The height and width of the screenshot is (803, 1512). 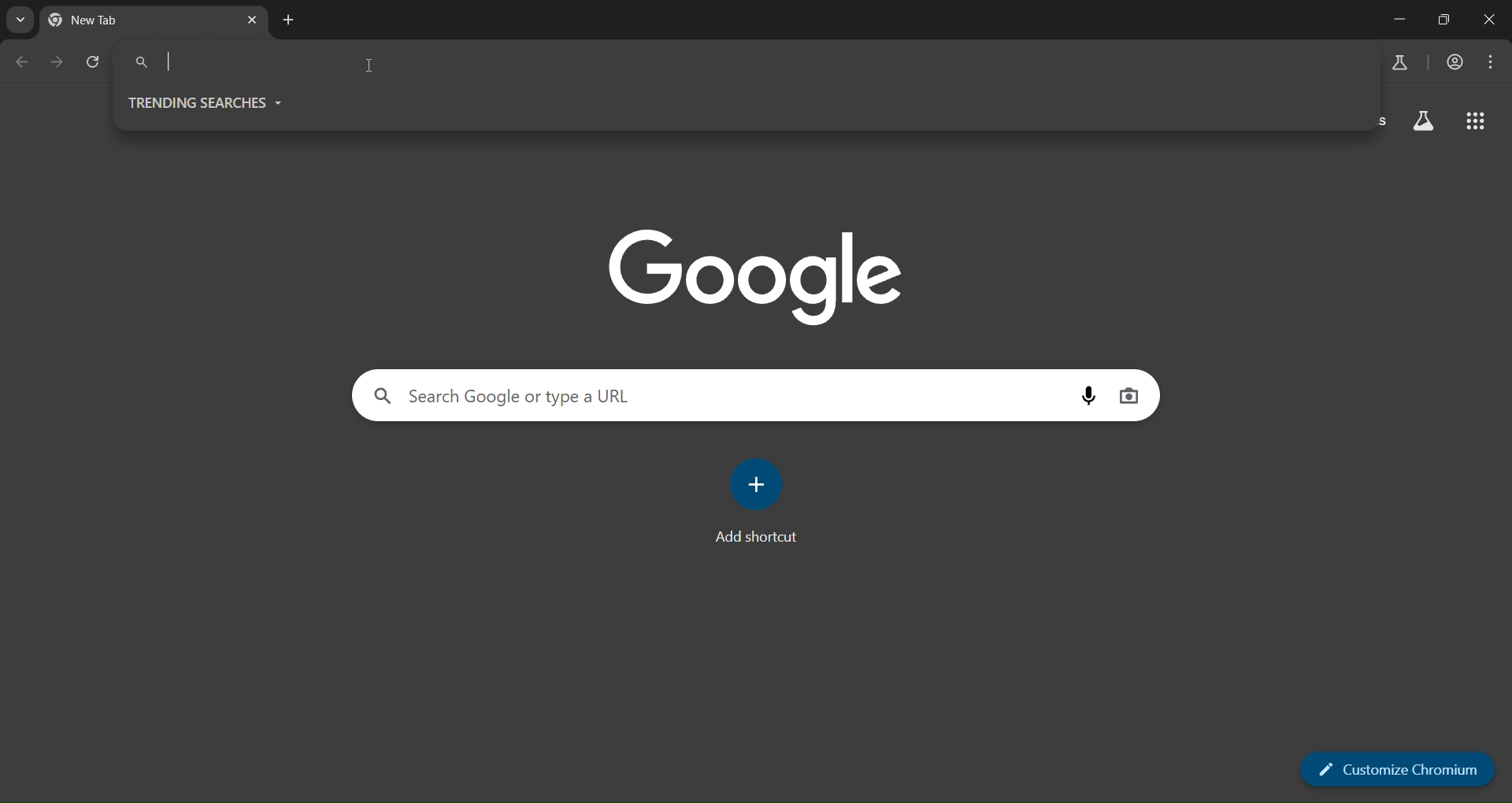 What do you see at coordinates (372, 68) in the screenshot?
I see `cursor` at bounding box center [372, 68].